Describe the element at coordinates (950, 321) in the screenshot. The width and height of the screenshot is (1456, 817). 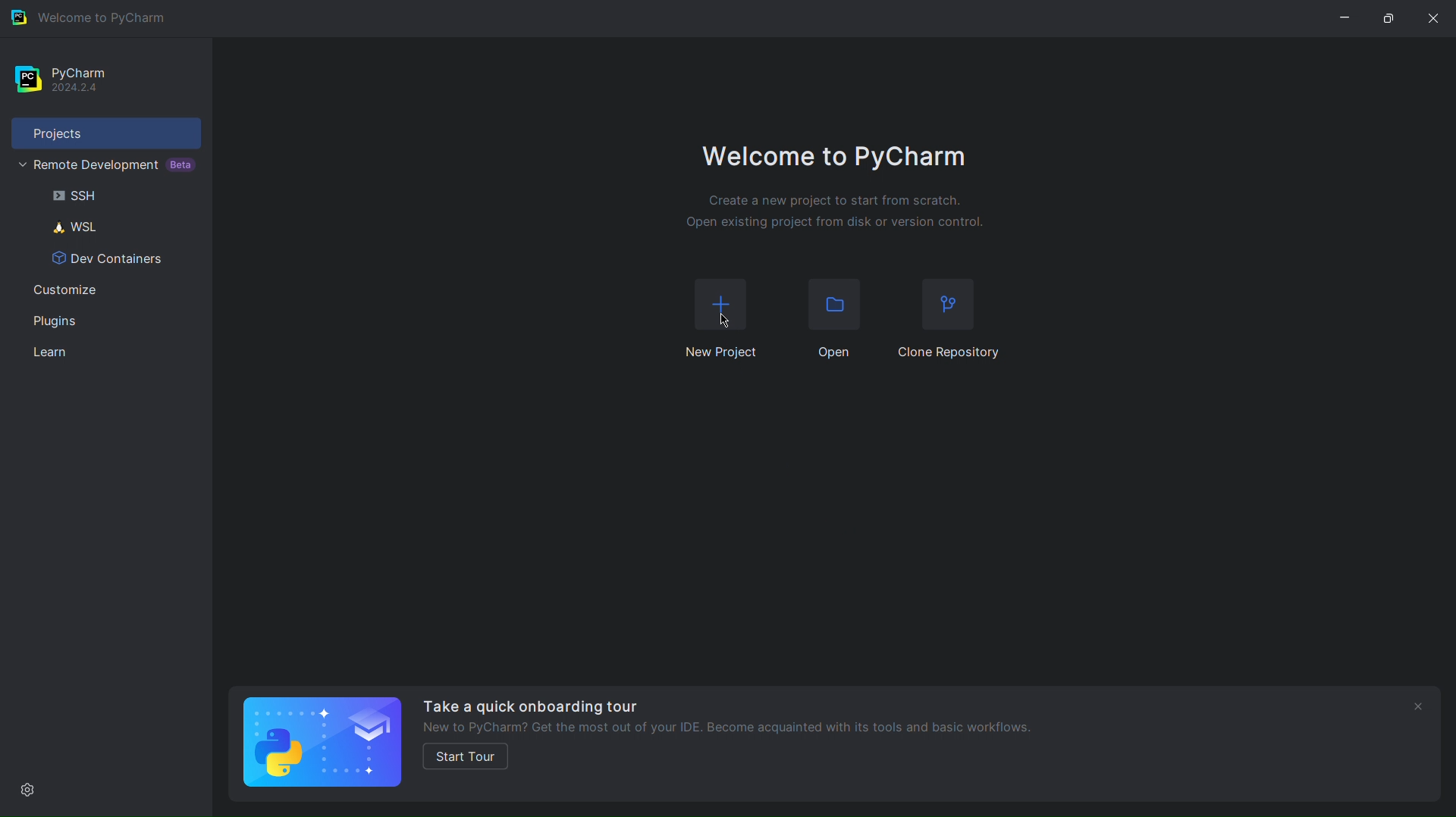
I see `Clone Repository` at that location.